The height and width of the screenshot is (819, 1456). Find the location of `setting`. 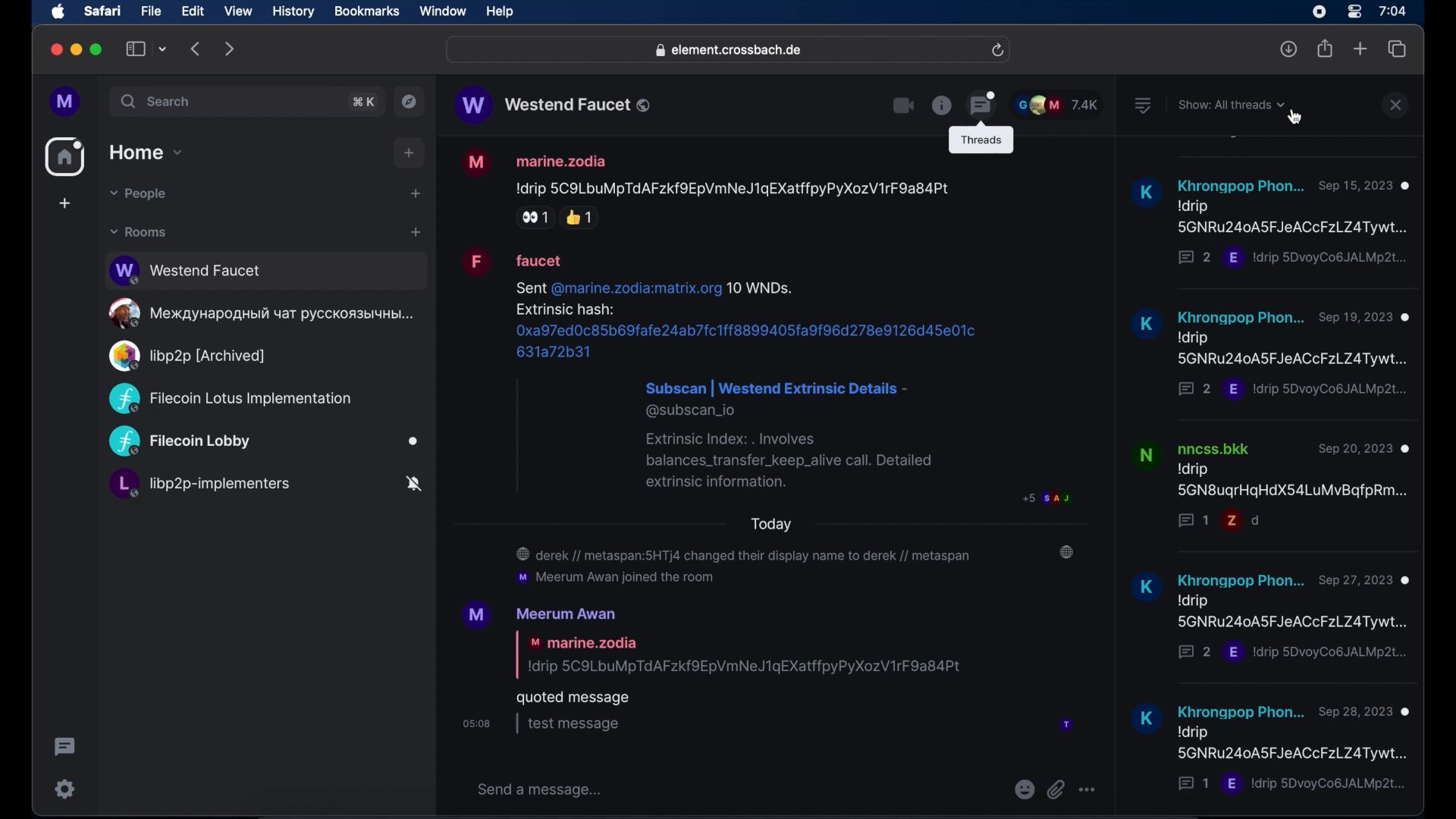

setting is located at coordinates (67, 789).